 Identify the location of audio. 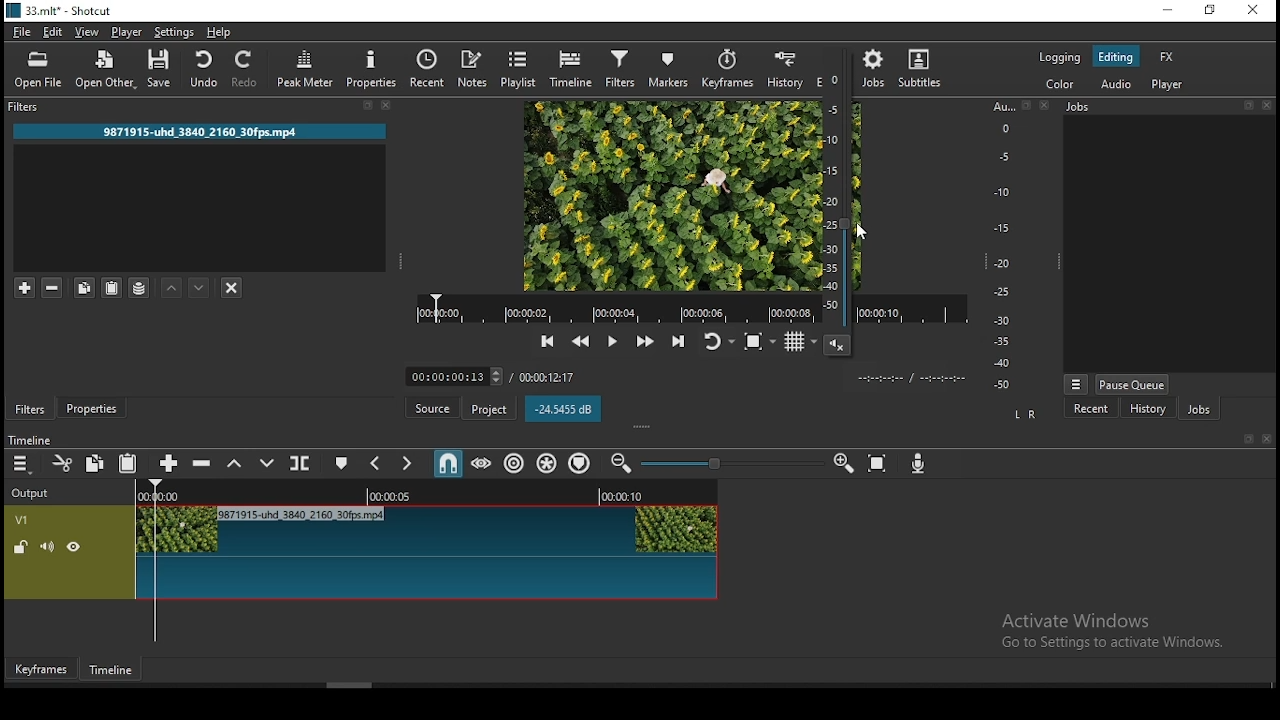
(1116, 81).